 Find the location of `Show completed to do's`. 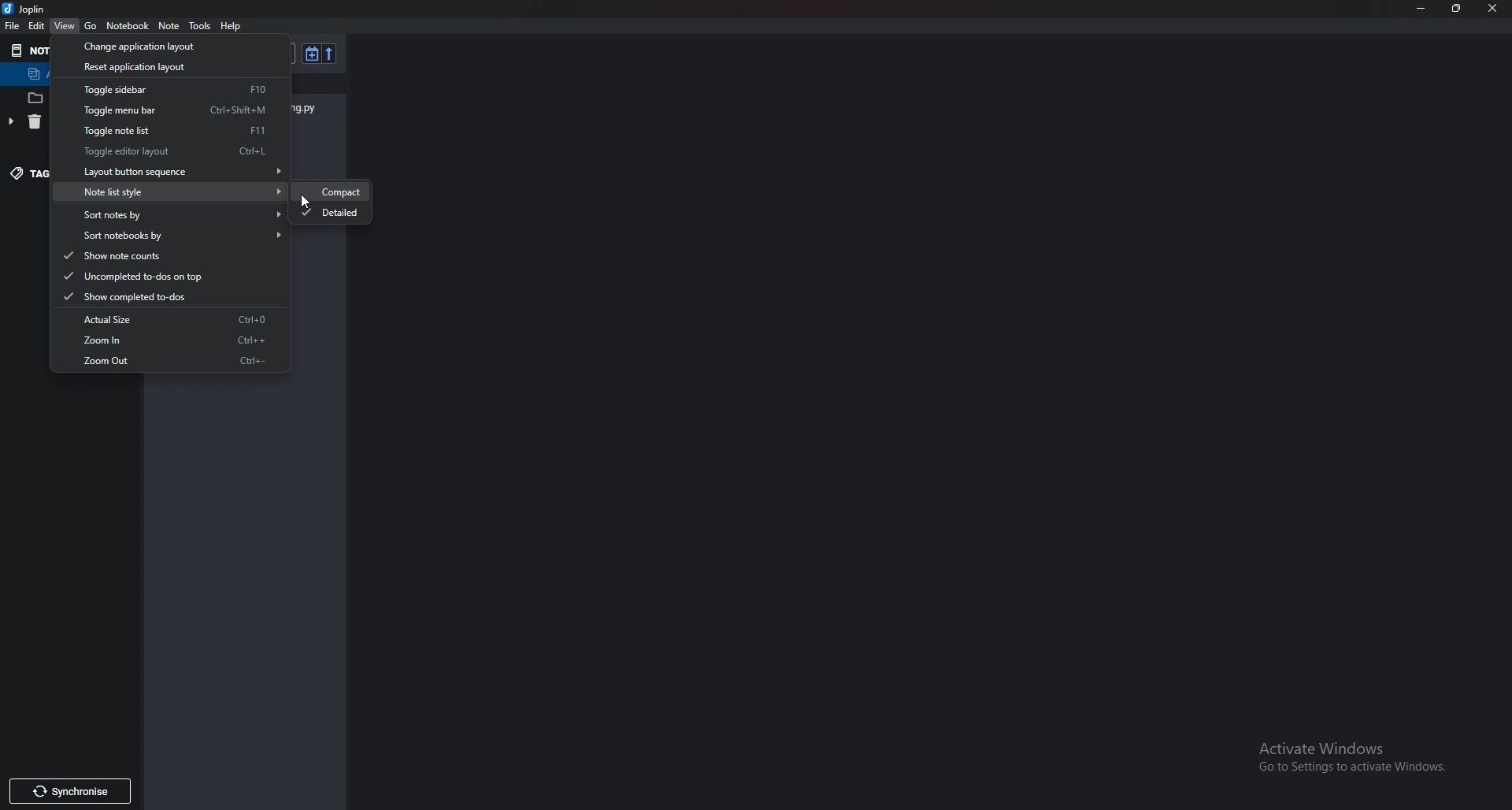

Show completed to do's is located at coordinates (168, 296).